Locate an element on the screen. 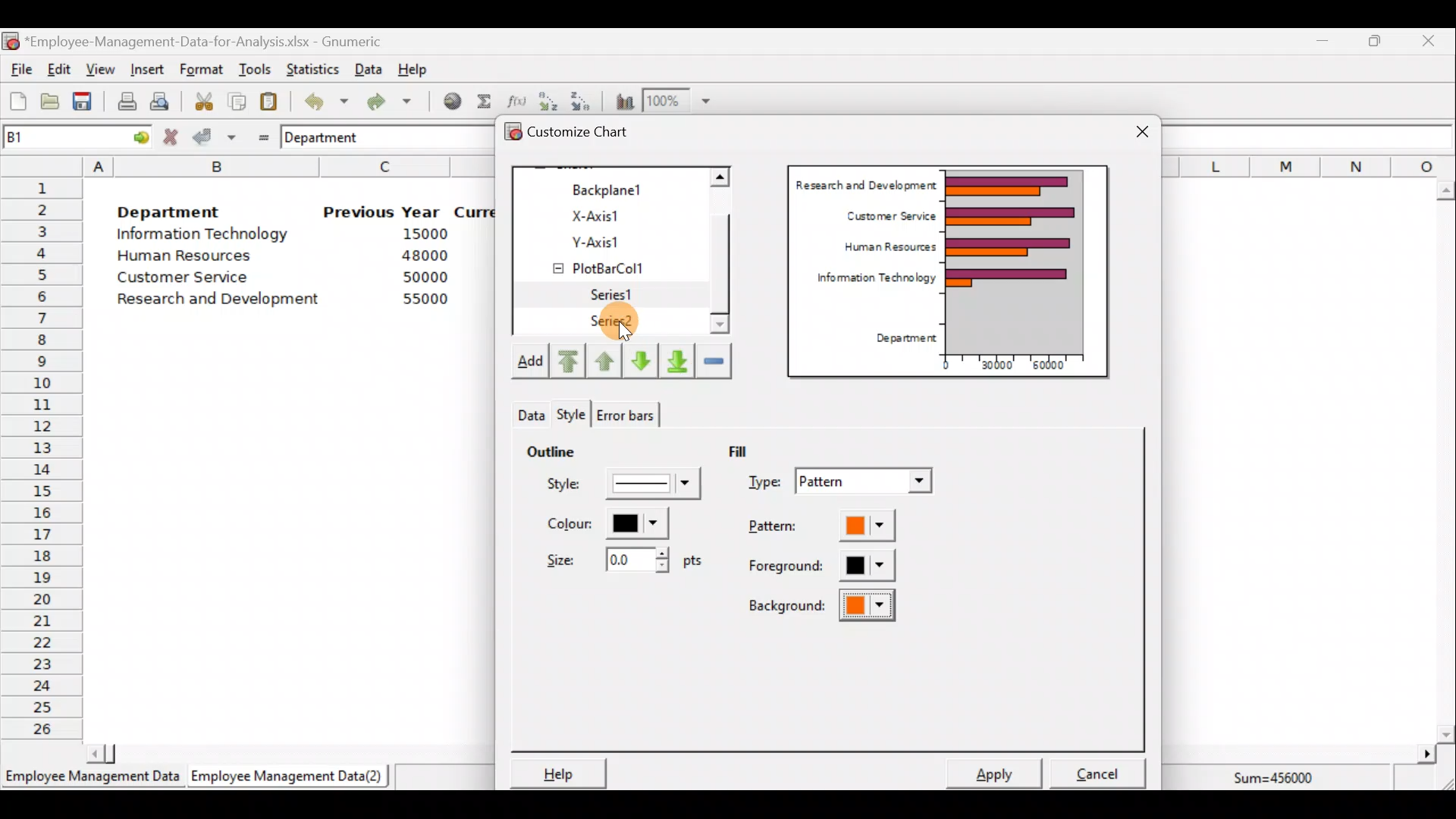 This screenshot has width=1456, height=819. Minimize is located at coordinates (1319, 44).